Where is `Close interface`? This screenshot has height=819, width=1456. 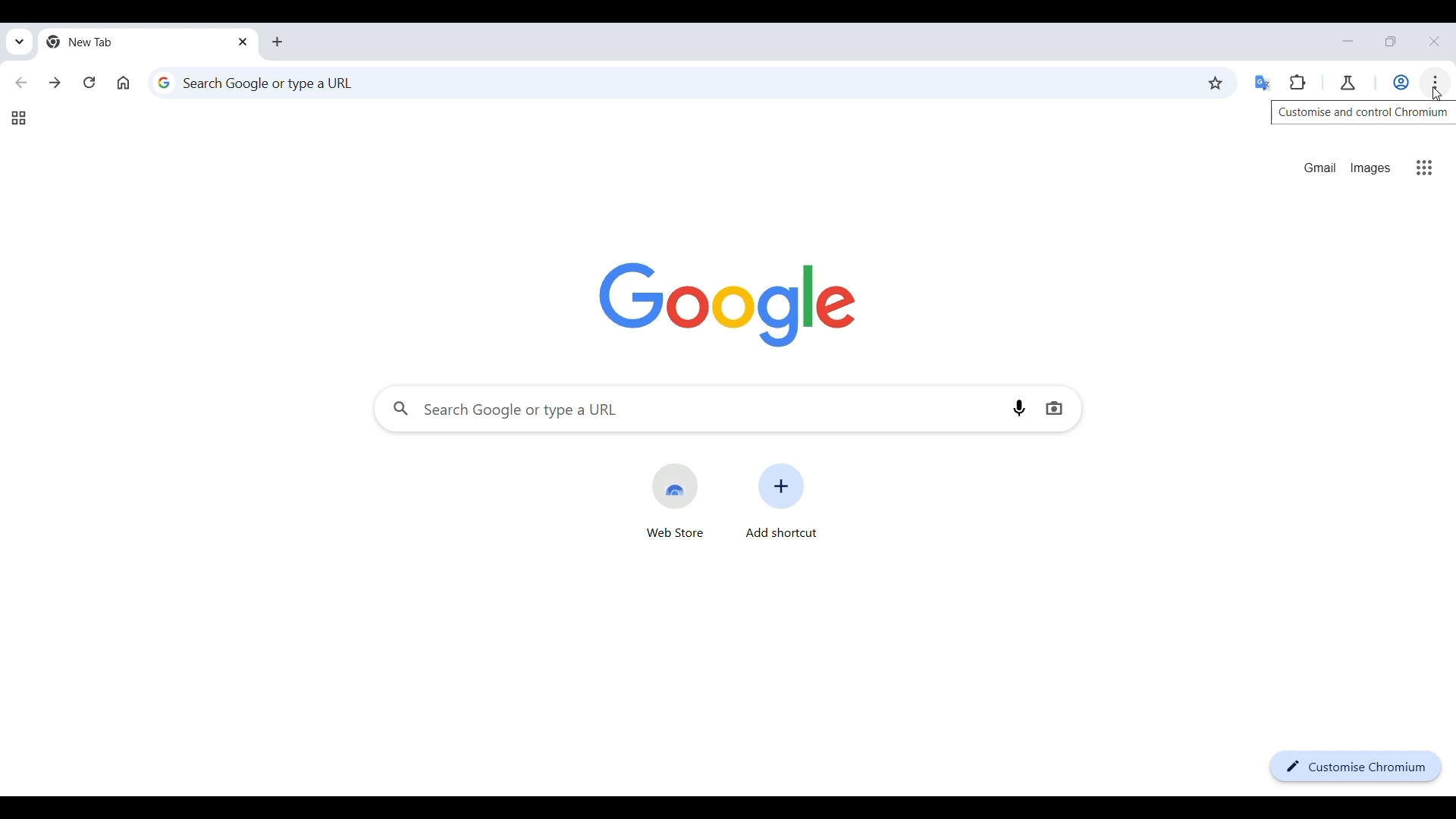 Close interface is located at coordinates (1435, 41).